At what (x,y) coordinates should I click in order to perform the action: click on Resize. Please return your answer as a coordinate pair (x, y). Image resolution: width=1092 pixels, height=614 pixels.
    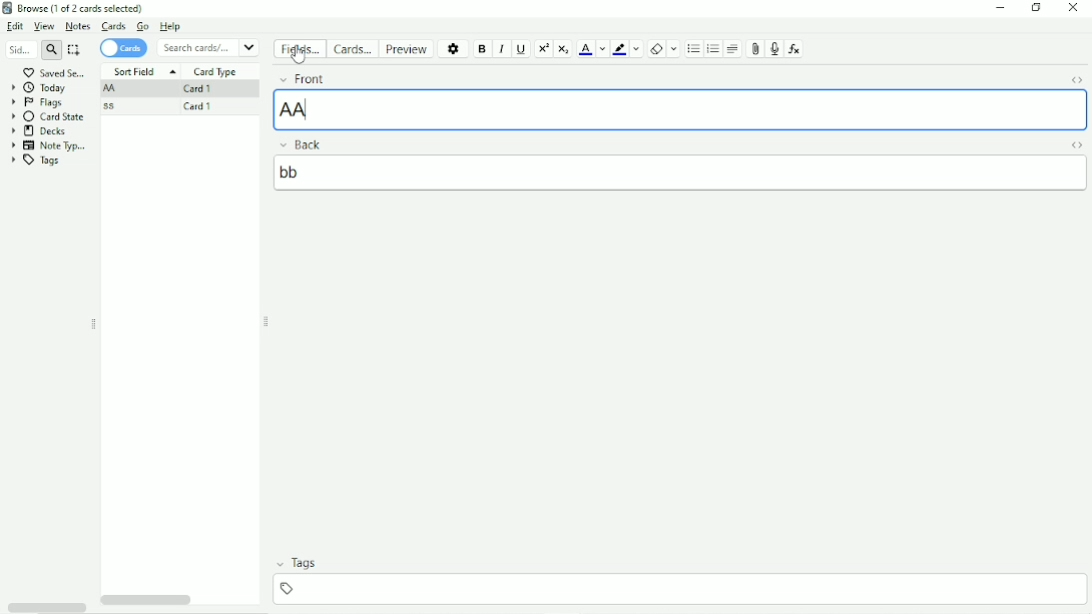
    Looking at the image, I should click on (267, 321).